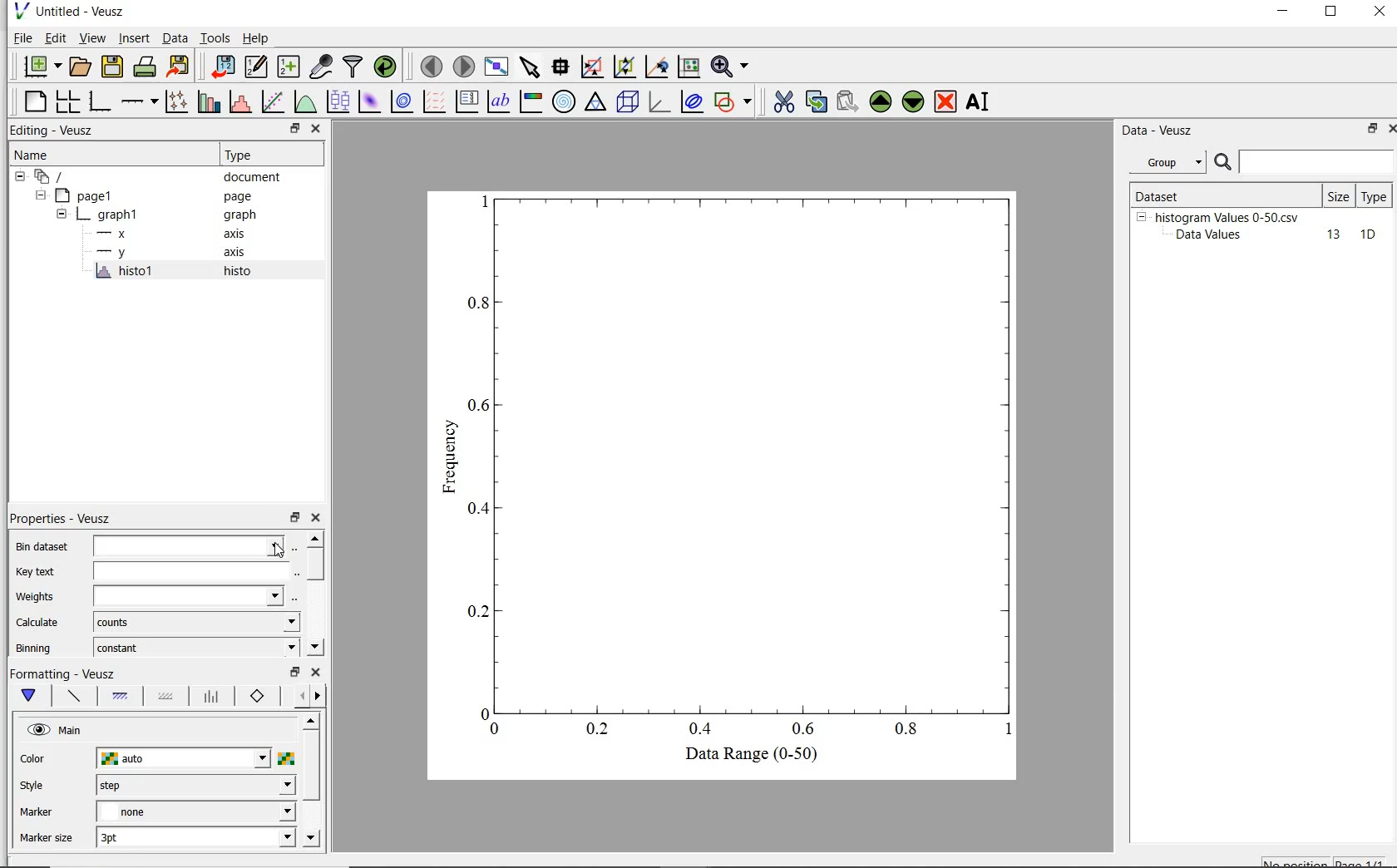  What do you see at coordinates (980, 101) in the screenshot?
I see `rename the selected widget` at bounding box center [980, 101].